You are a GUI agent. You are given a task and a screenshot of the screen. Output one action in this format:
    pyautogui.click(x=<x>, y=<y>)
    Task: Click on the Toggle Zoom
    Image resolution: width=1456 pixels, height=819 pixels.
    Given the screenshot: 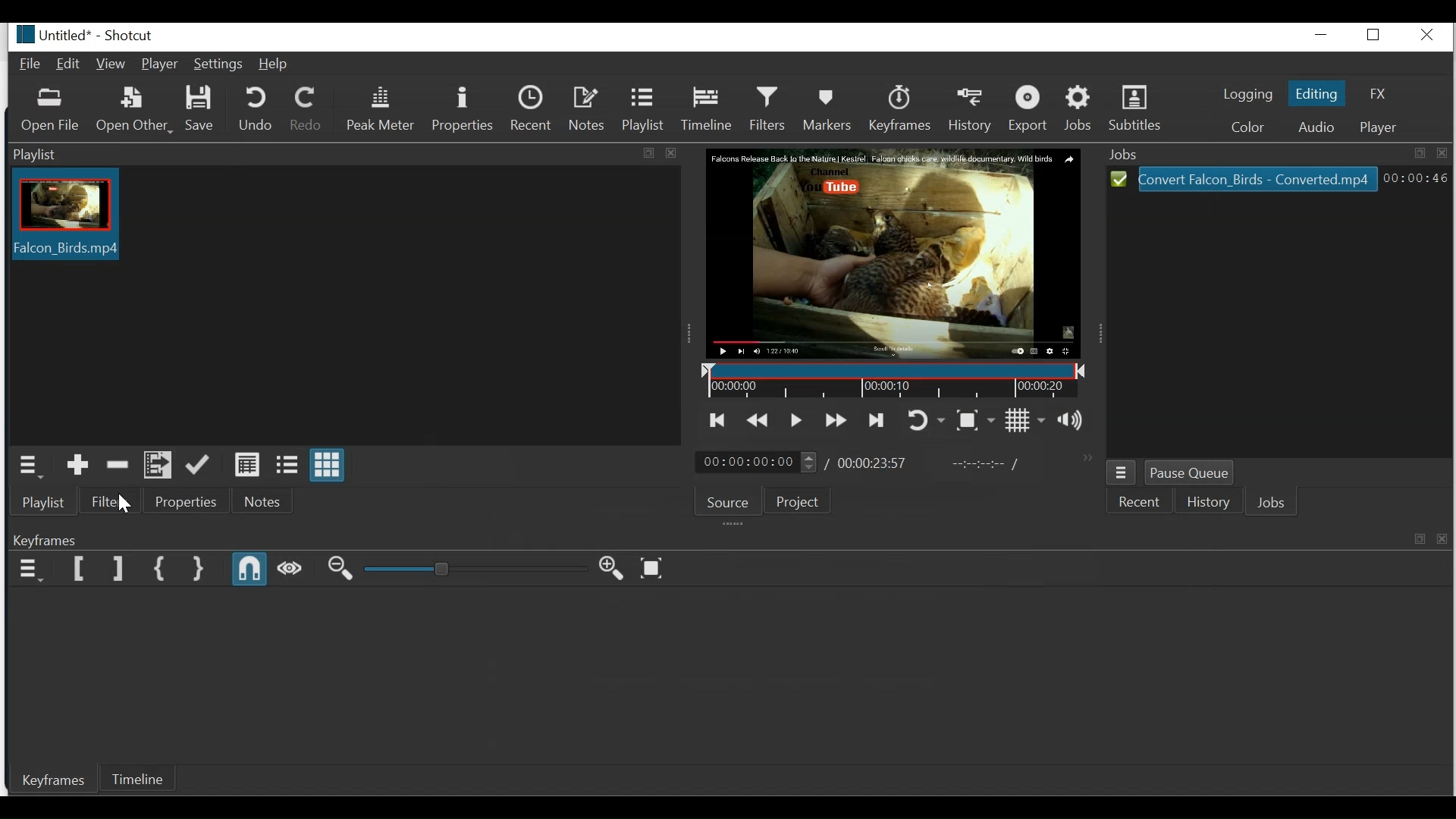 What is the action you would take?
    pyautogui.click(x=975, y=419)
    